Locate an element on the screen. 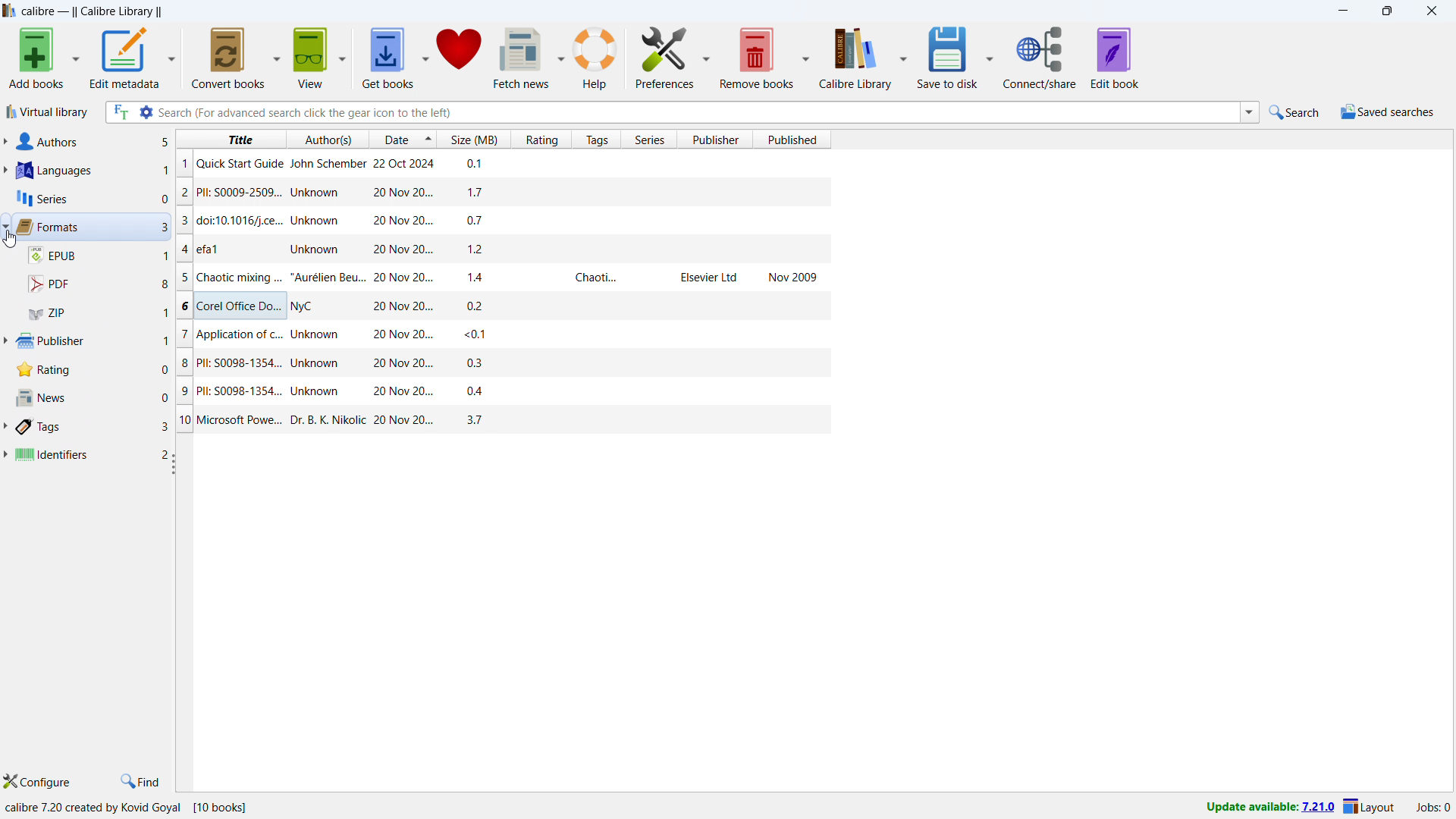 This screenshot has height=819, width=1456. calibre library is located at coordinates (855, 58).